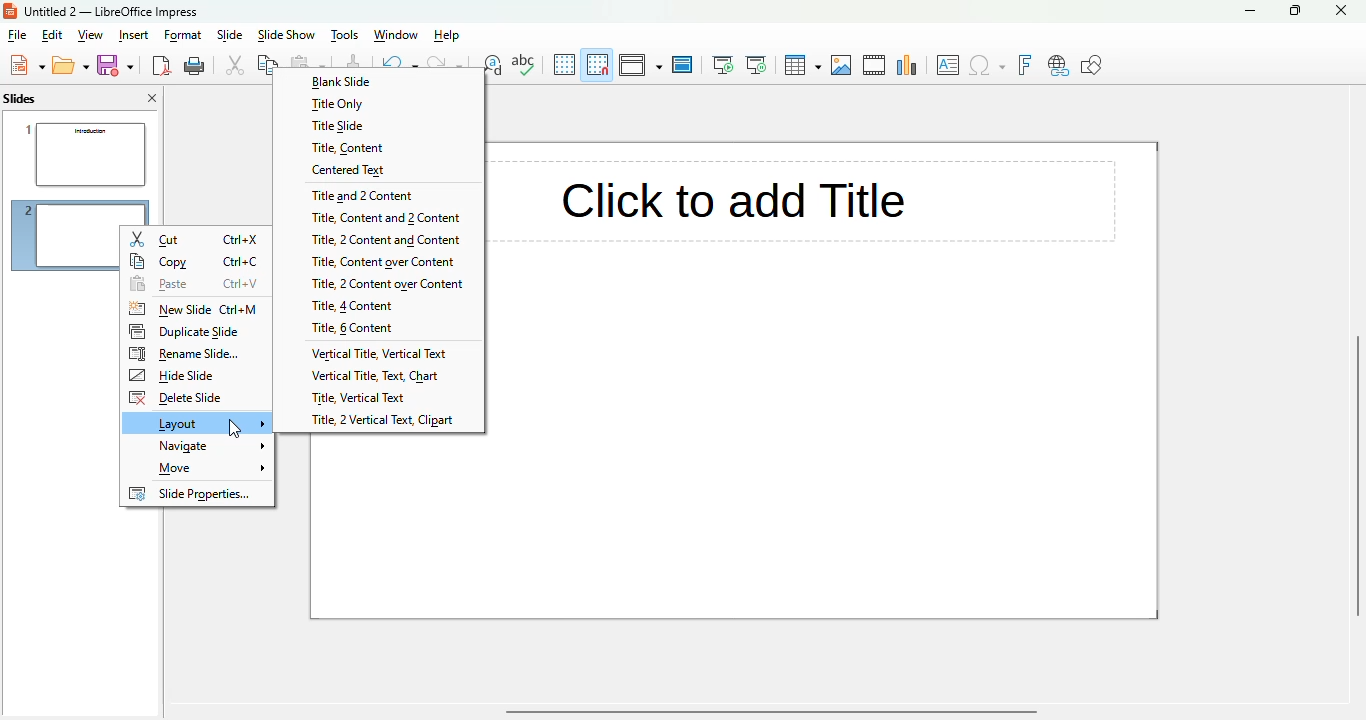 Image resolution: width=1366 pixels, height=720 pixels. Describe the element at coordinates (379, 125) in the screenshot. I see `title slide` at that location.